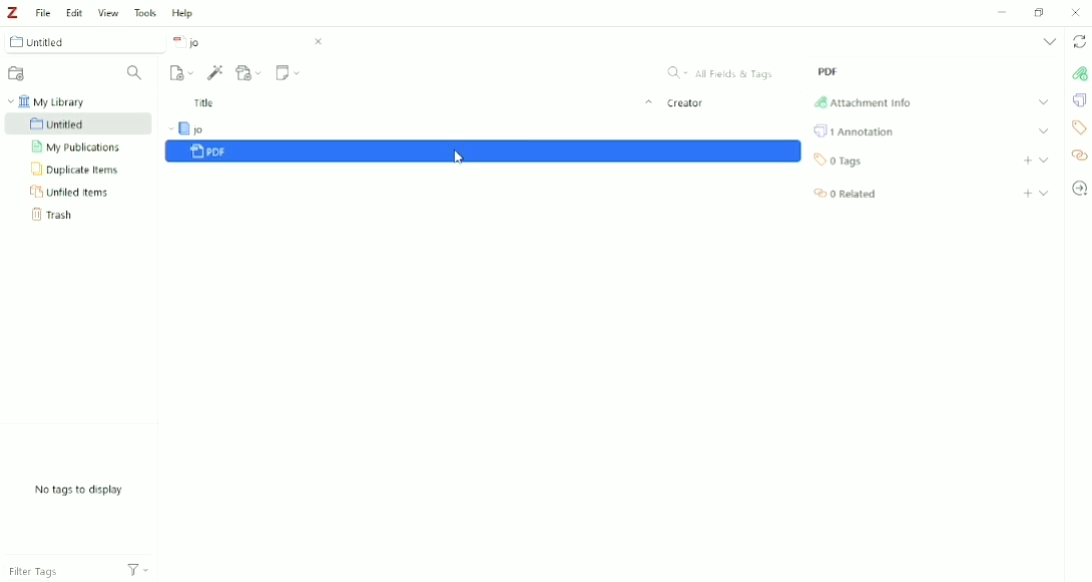 This screenshot has height=582, width=1092. What do you see at coordinates (1027, 160) in the screenshot?
I see `Add` at bounding box center [1027, 160].